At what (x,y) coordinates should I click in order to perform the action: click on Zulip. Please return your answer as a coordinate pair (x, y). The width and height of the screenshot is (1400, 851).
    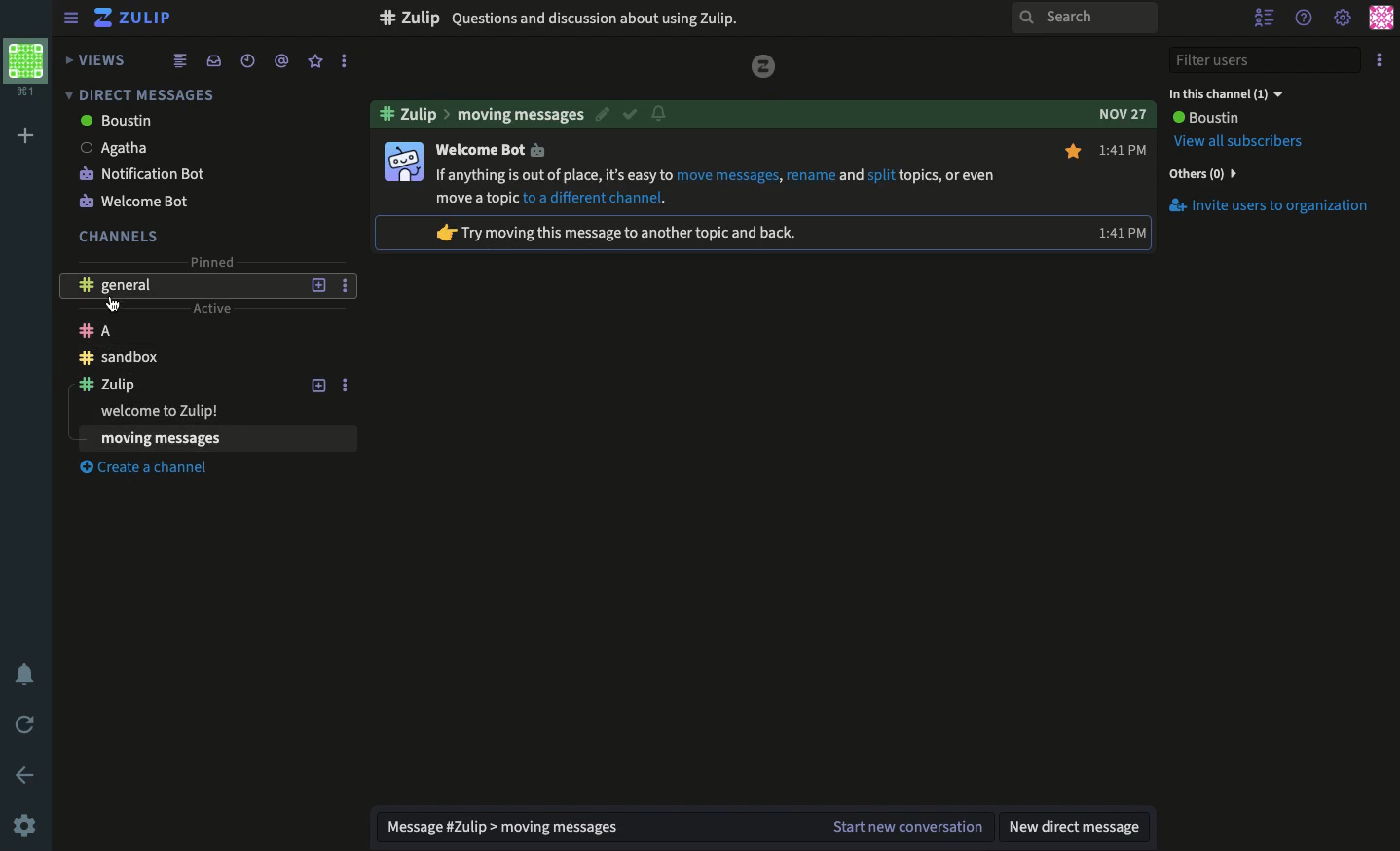
    Looking at the image, I should click on (136, 20).